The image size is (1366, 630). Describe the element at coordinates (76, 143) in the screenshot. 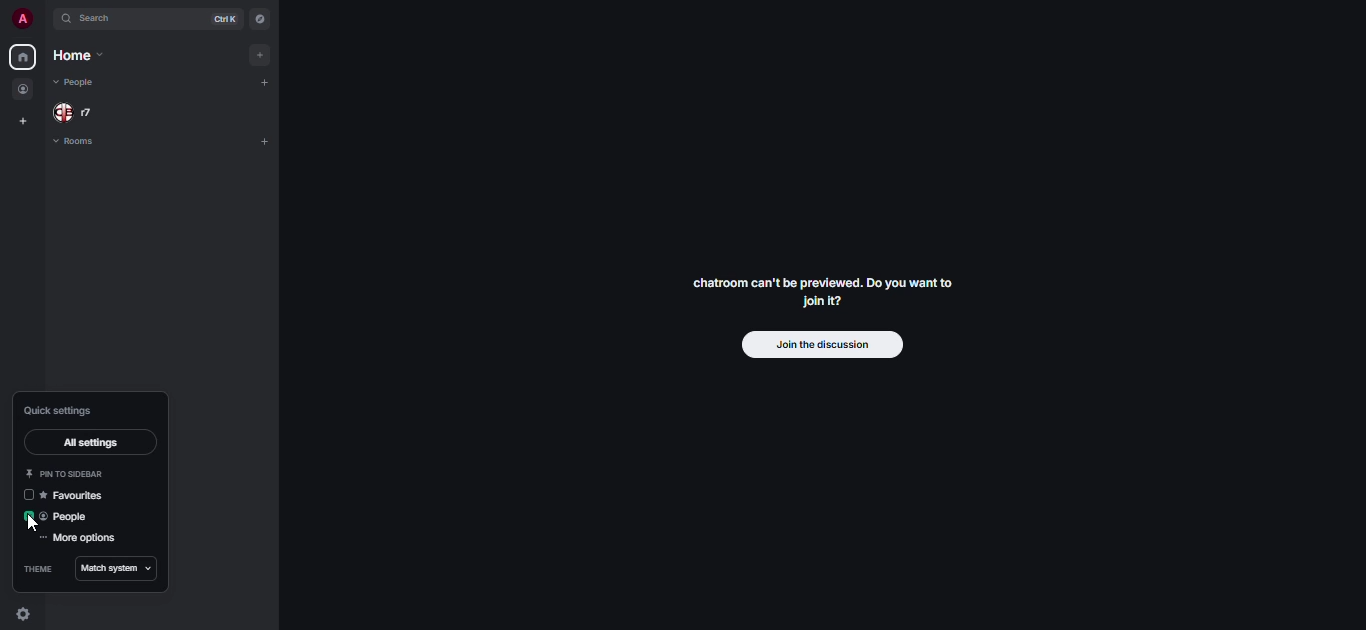

I see `rooms` at that location.